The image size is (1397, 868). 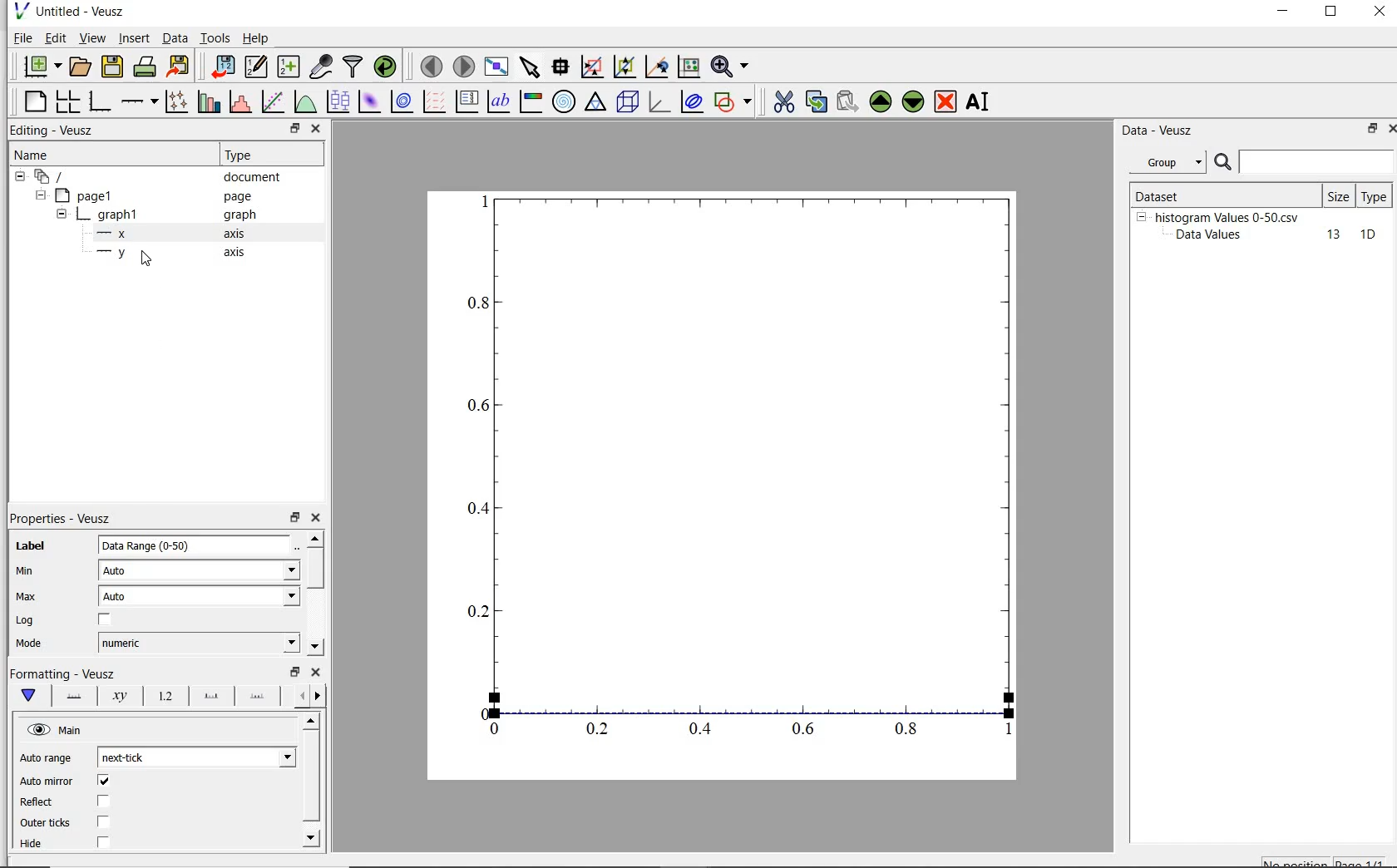 What do you see at coordinates (134, 38) in the screenshot?
I see `insert` at bounding box center [134, 38].